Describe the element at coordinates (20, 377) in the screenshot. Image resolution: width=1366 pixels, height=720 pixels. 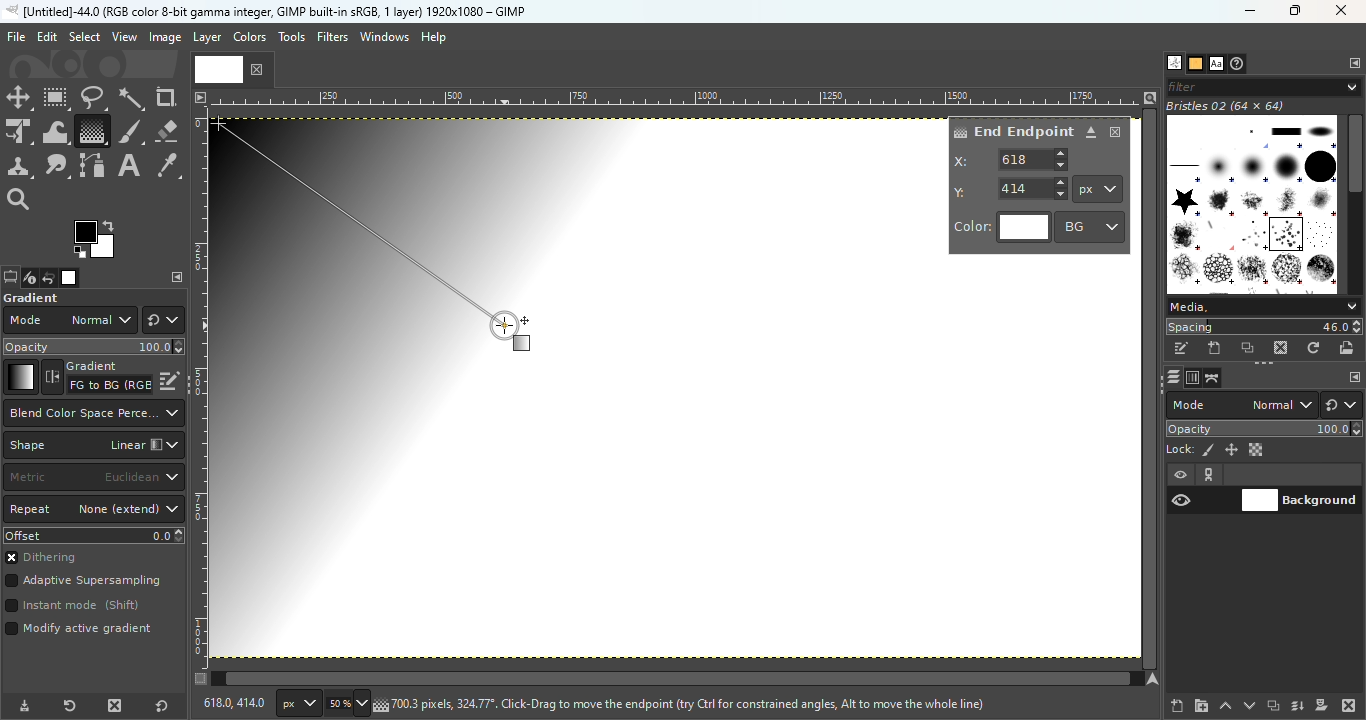
I see `Gradient` at that location.